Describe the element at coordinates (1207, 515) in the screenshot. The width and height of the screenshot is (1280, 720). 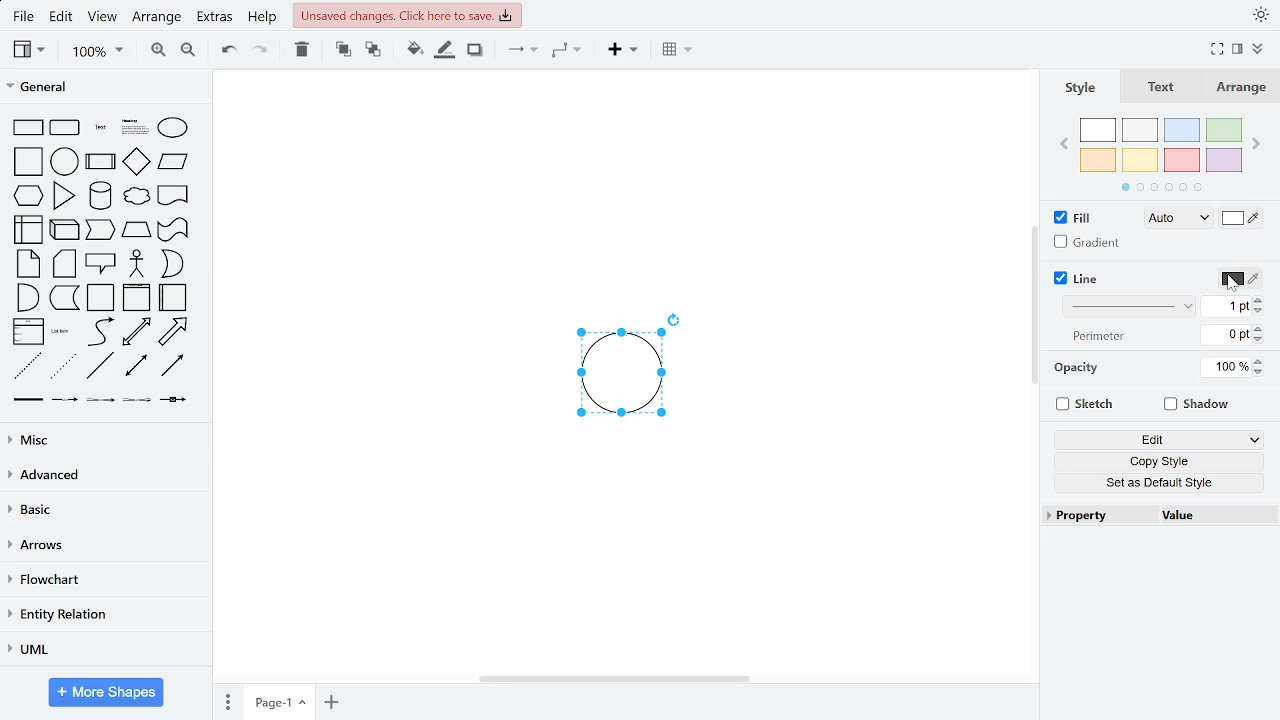
I see `value` at that location.